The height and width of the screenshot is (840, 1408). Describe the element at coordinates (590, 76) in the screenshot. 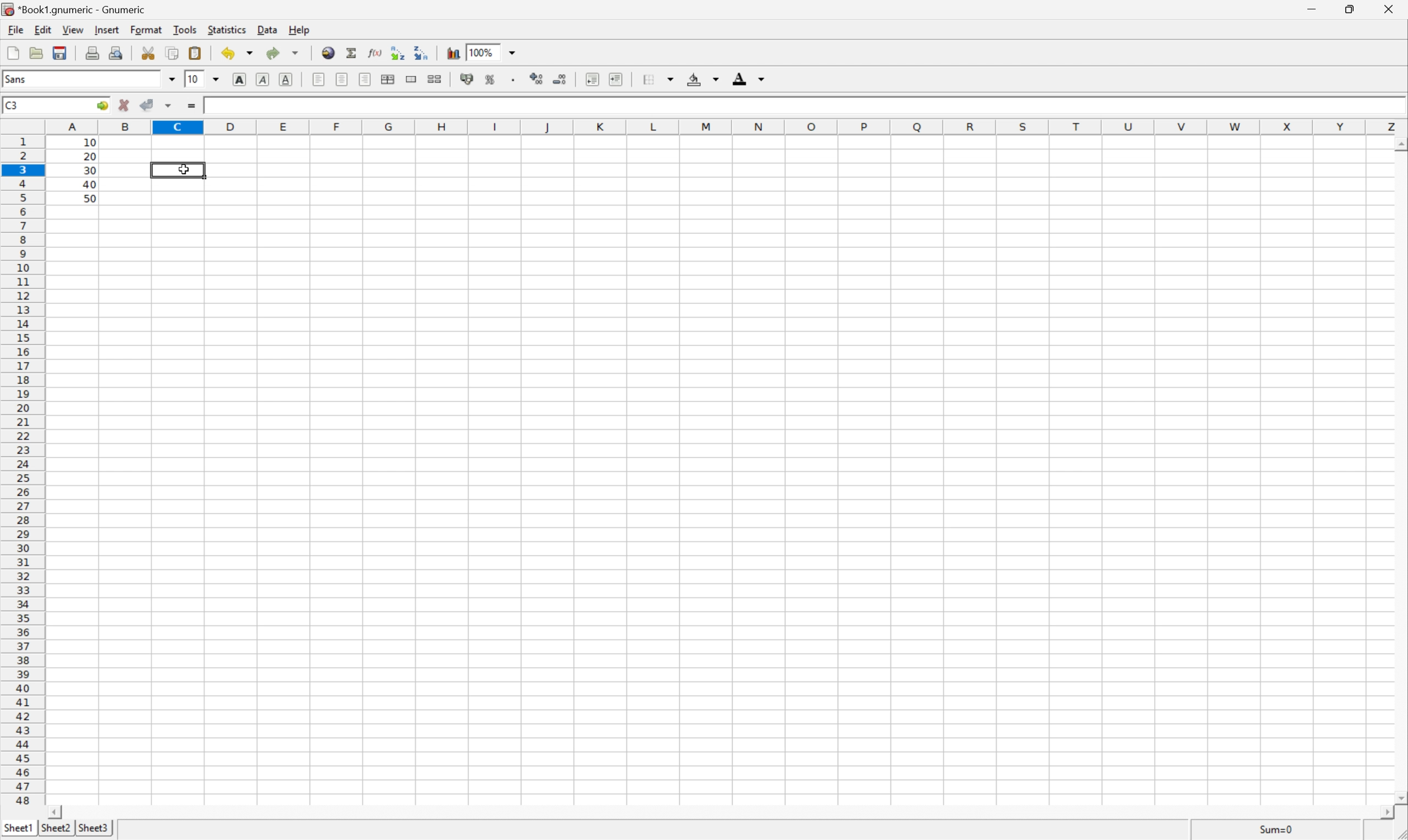

I see `Decrease the indent, and align the contents to the left` at that location.